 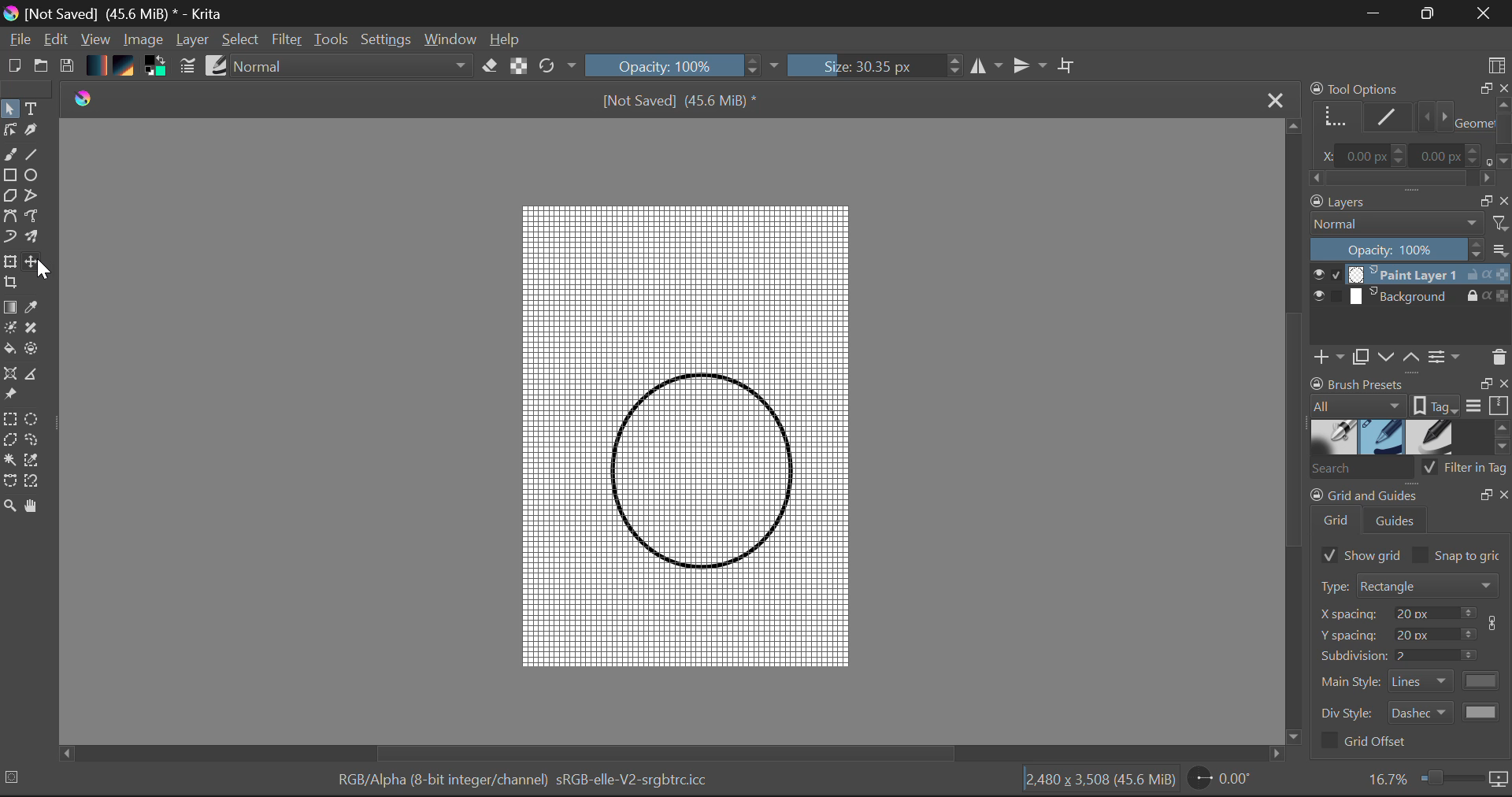 I want to click on Cursor on Move Layer, so click(x=38, y=264).